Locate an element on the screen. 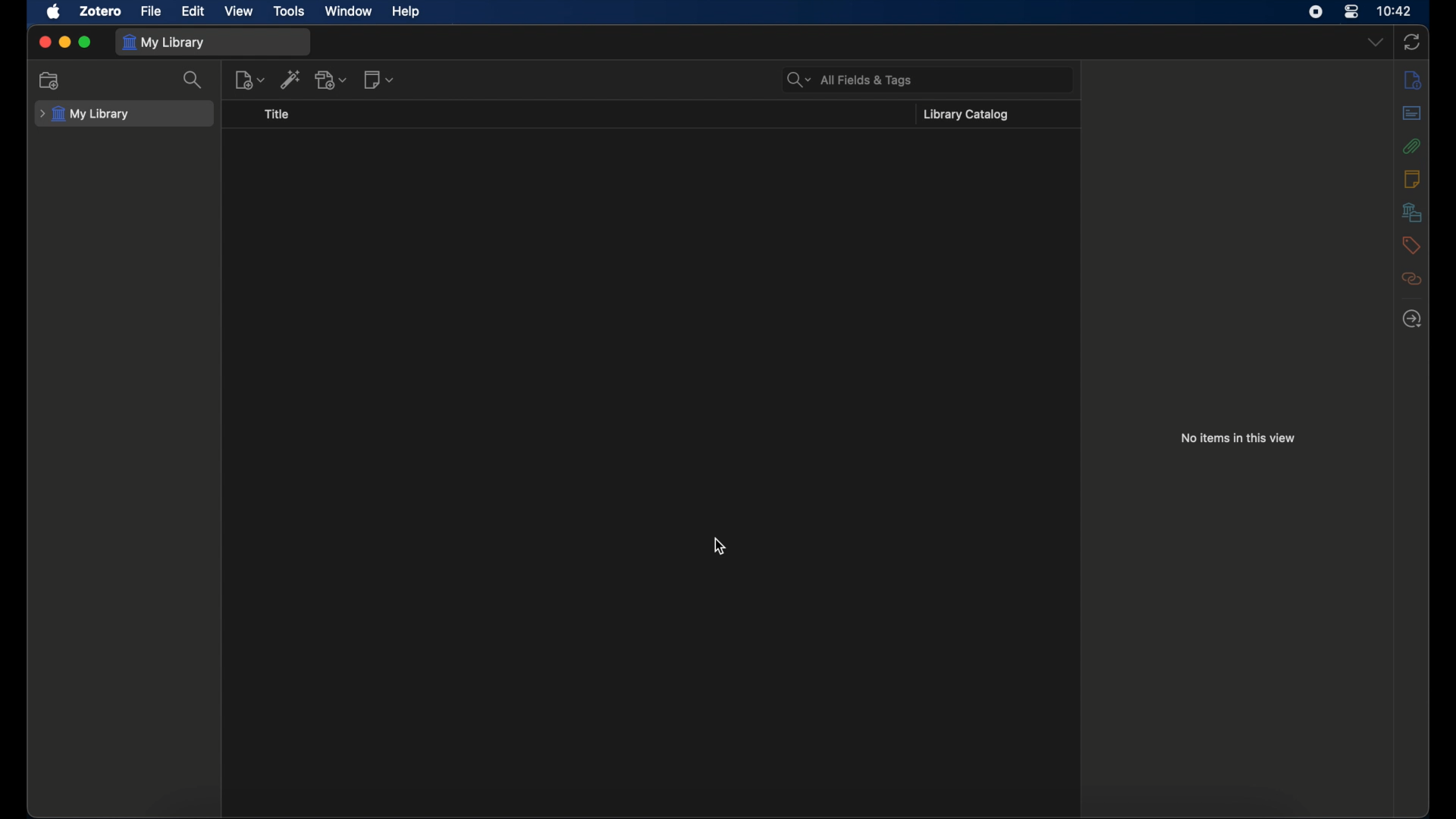 The height and width of the screenshot is (819, 1456). abstract is located at coordinates (1412, 113).